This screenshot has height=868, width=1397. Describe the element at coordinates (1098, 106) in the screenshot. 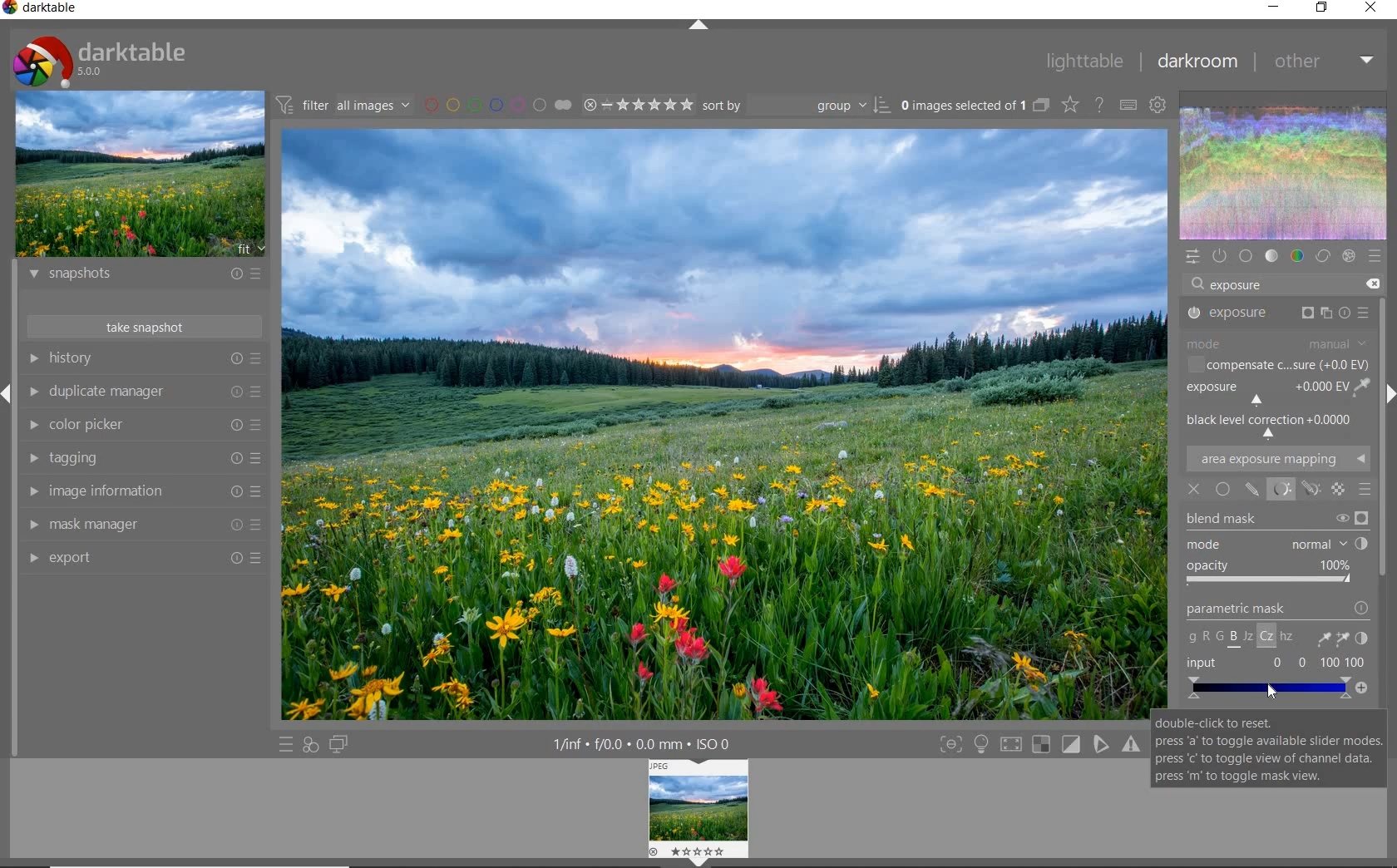

I see `enable online help` at that location.